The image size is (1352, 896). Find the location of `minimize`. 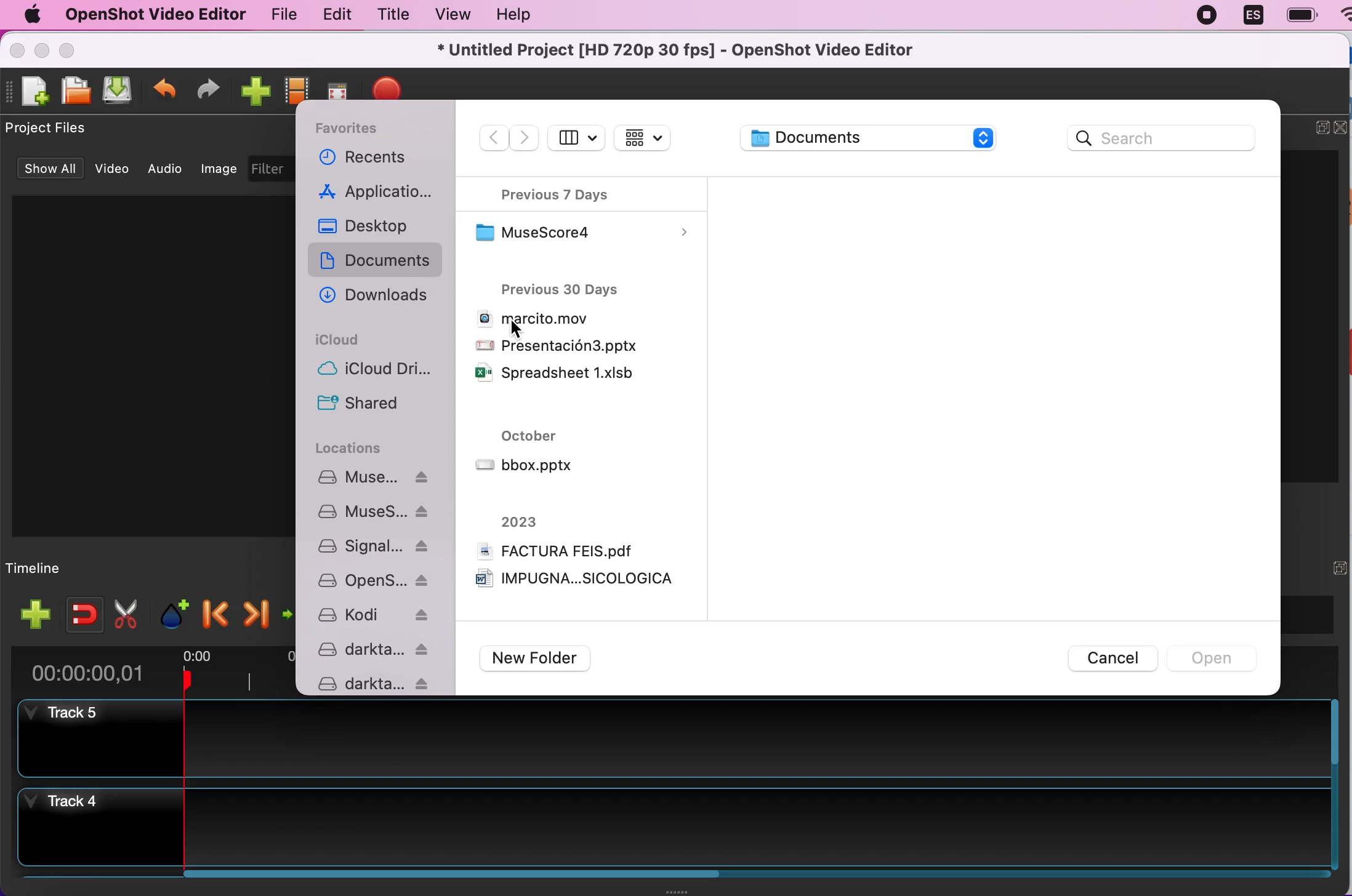

minimize is located at coordinates (43, 52).